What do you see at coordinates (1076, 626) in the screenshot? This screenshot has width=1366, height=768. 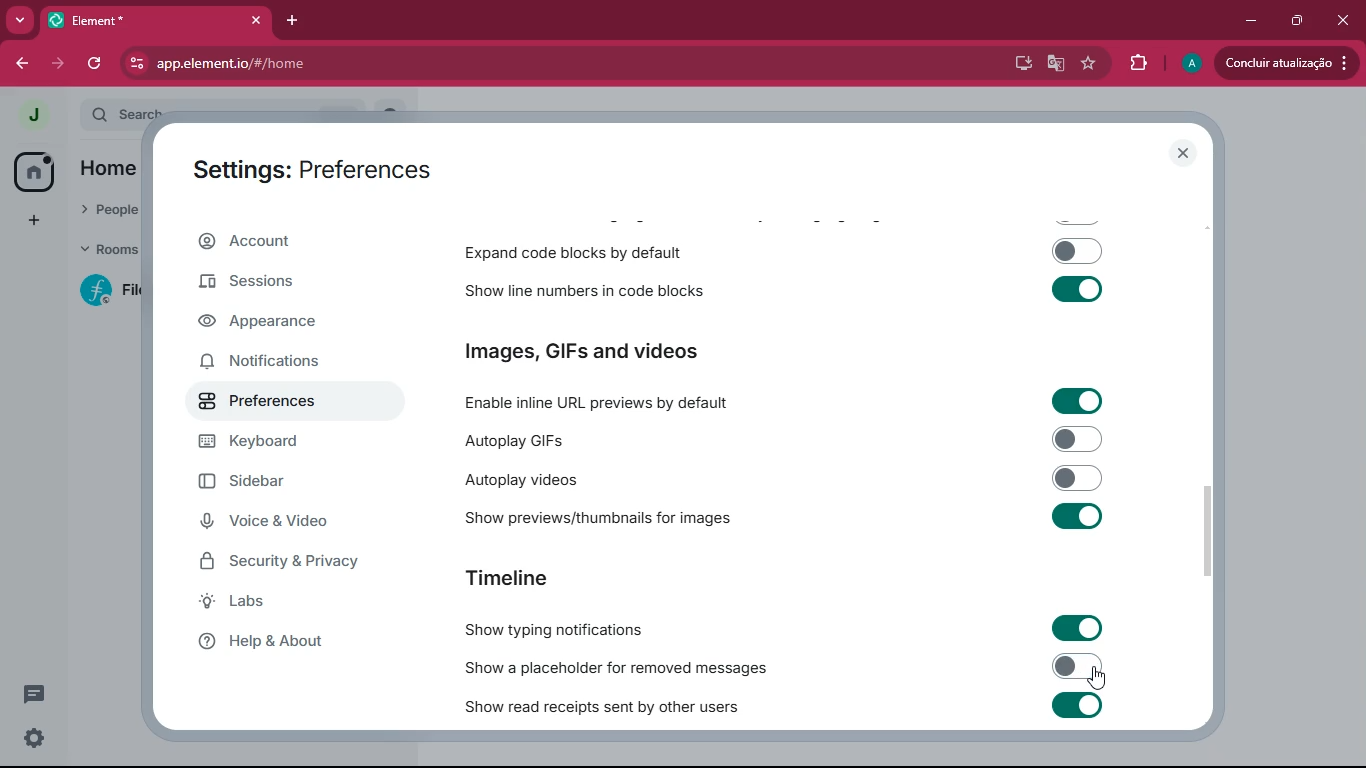 I see `toggle on/off` at bounding box center [1076, 626].